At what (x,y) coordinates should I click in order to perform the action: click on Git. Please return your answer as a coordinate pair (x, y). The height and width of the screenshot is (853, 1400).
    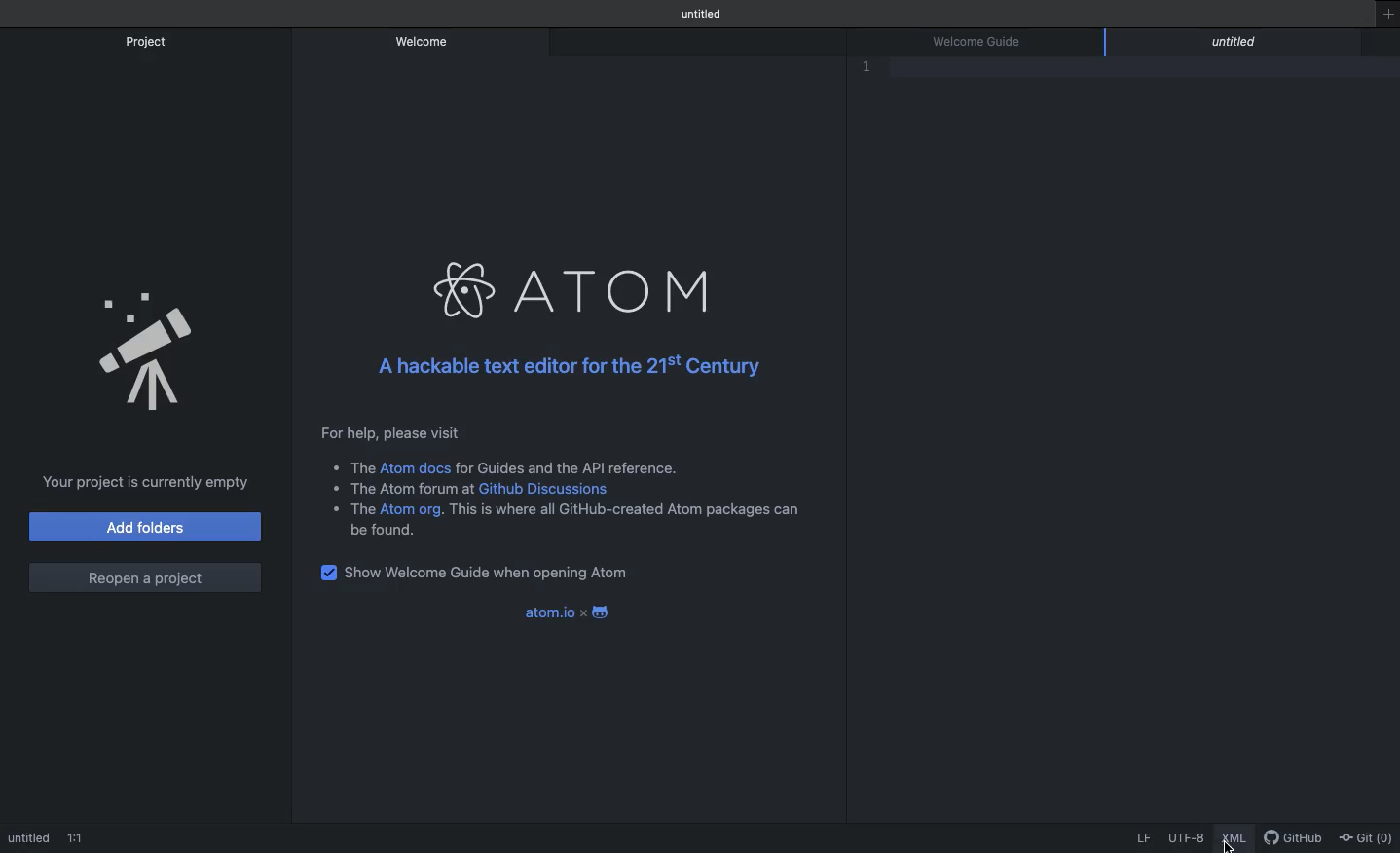
    Looking at the image, I should click on (1364, 834).